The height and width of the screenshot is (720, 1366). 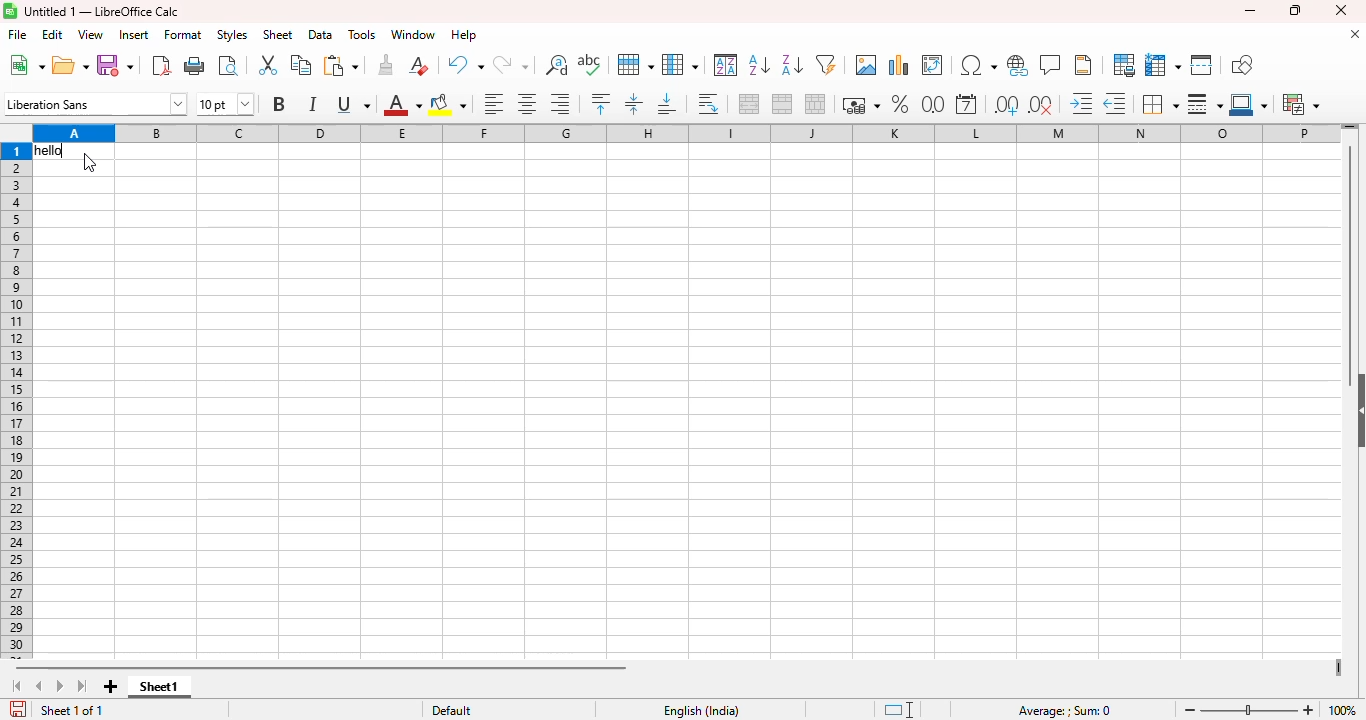 What do you see at coordinates (867, 65) in the screenshot?
I see `insert image` at bounding box center [867, 65].